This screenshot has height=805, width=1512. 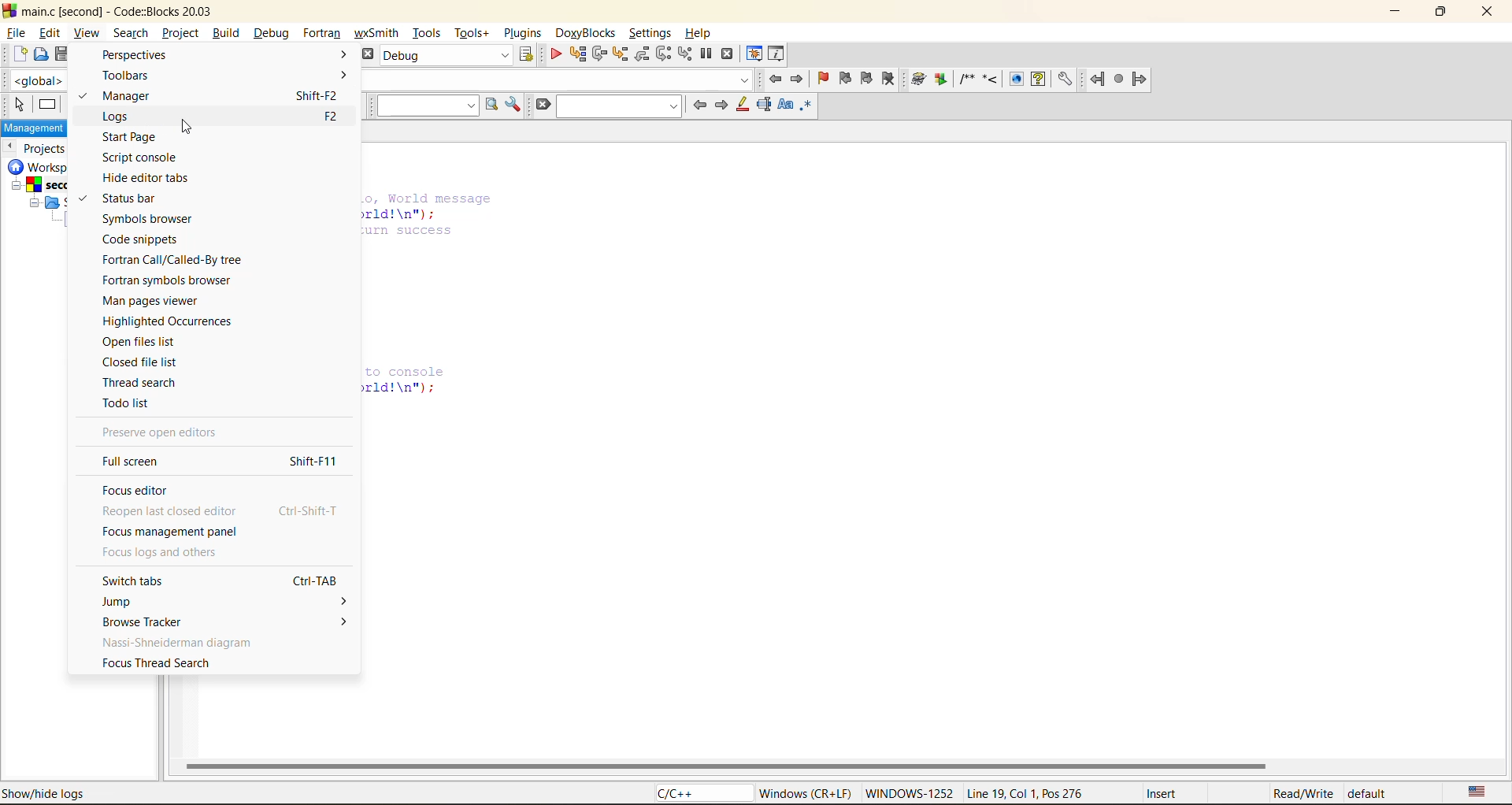 What do you see at coordinates (698, 794) in the screenshot?
I see `language` at bounding box center [698, 794].